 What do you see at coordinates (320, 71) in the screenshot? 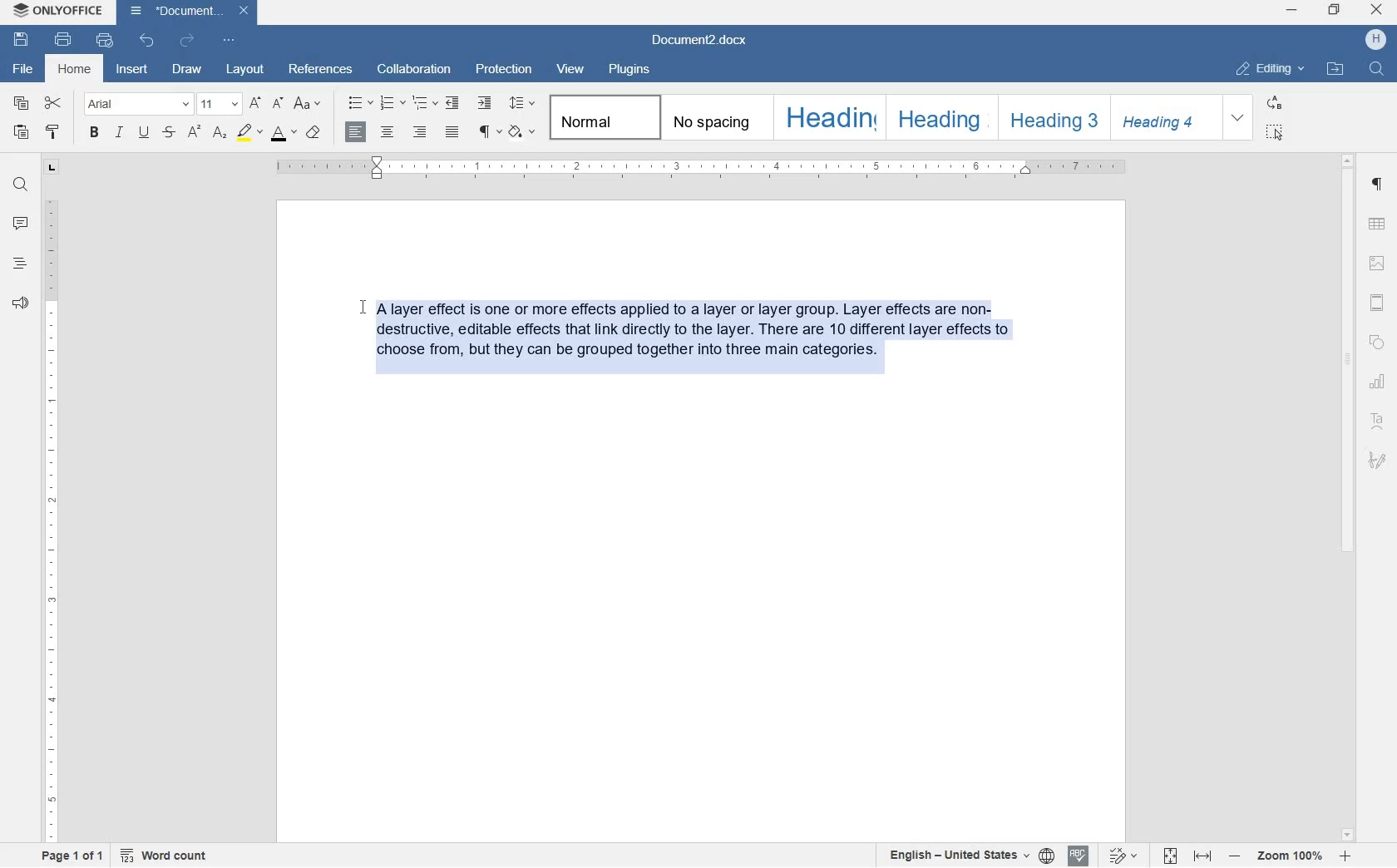
I see `references` at bounding box center [320, 71].